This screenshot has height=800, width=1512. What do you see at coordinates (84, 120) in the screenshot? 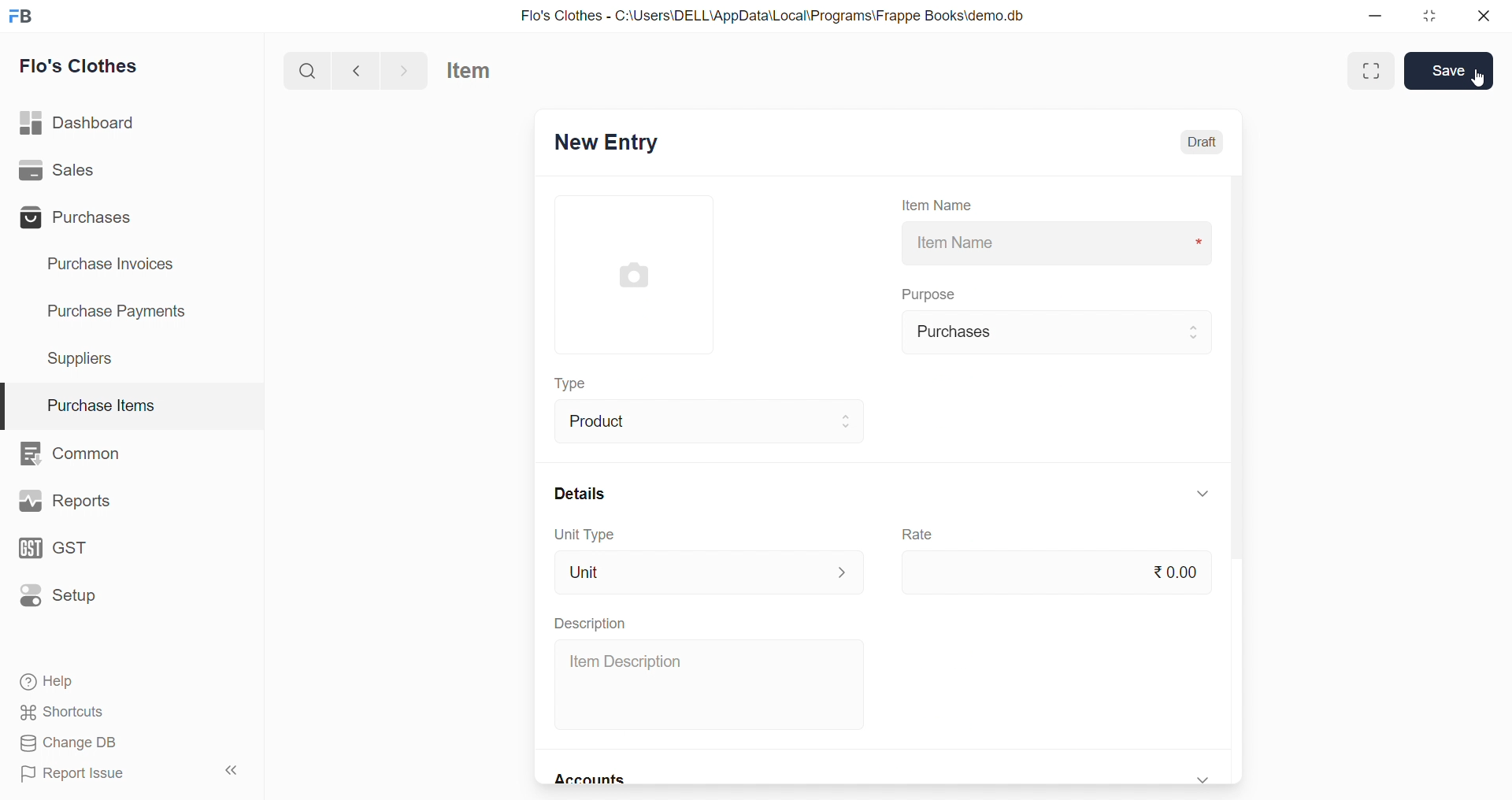
I see `Dashboard` at bounding box center [84, 120].